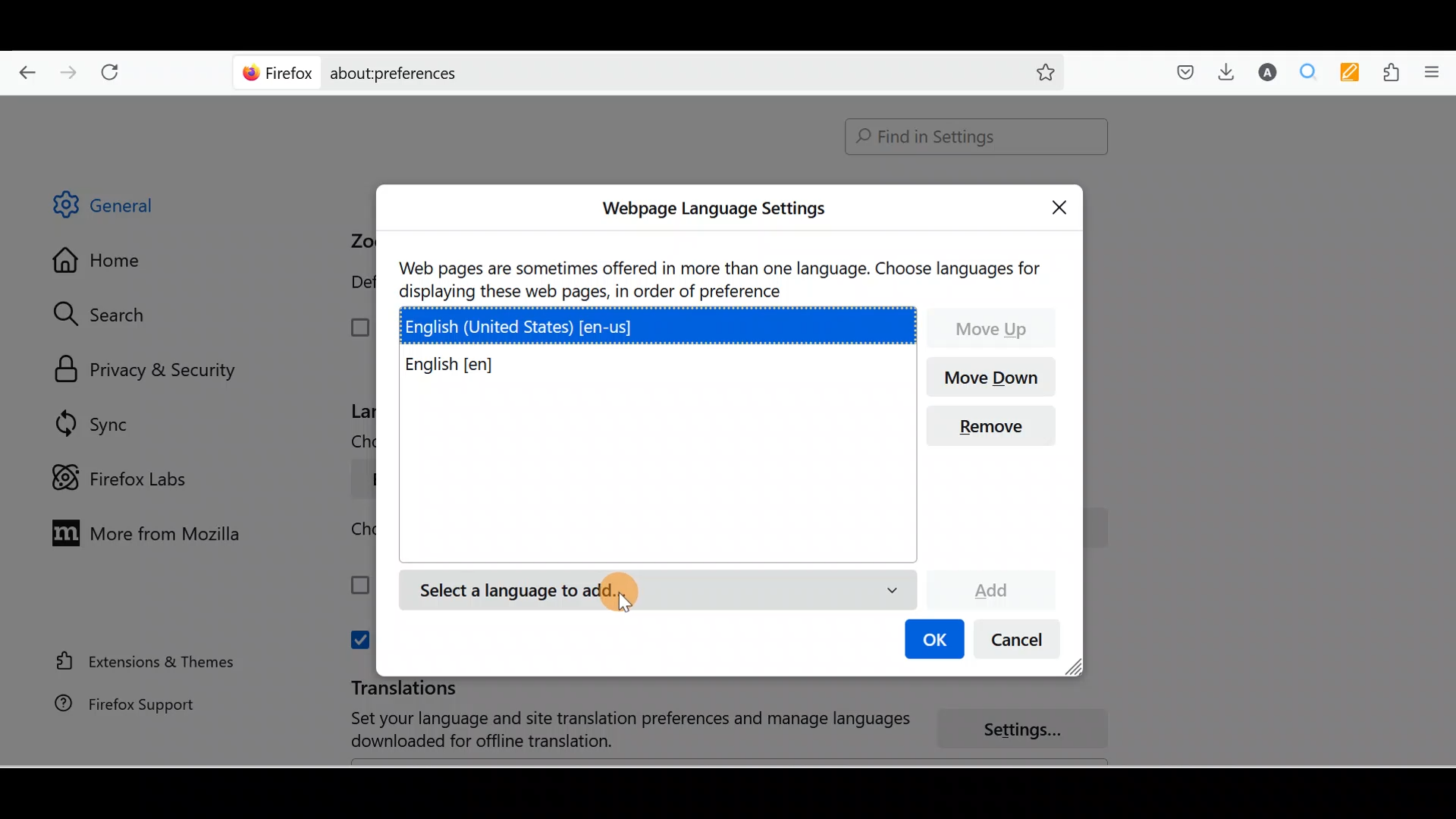  What do you see at coordinates (657, 591) in the screenshot?
I see `Select a language to add` at bounding box center [657, 591].